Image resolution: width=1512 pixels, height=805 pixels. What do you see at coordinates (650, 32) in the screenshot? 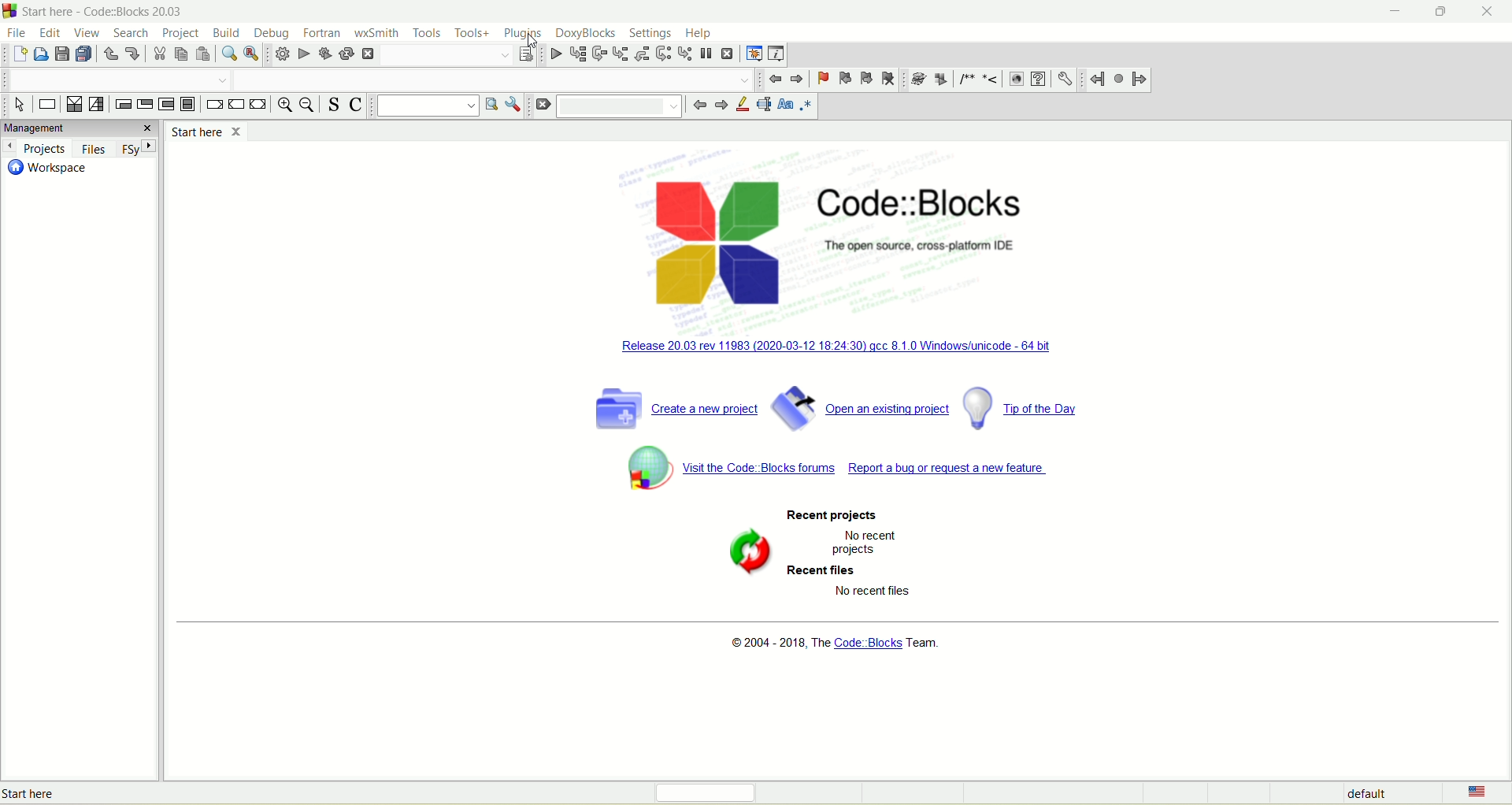
I see `settings` at bounding box center [650, 32].